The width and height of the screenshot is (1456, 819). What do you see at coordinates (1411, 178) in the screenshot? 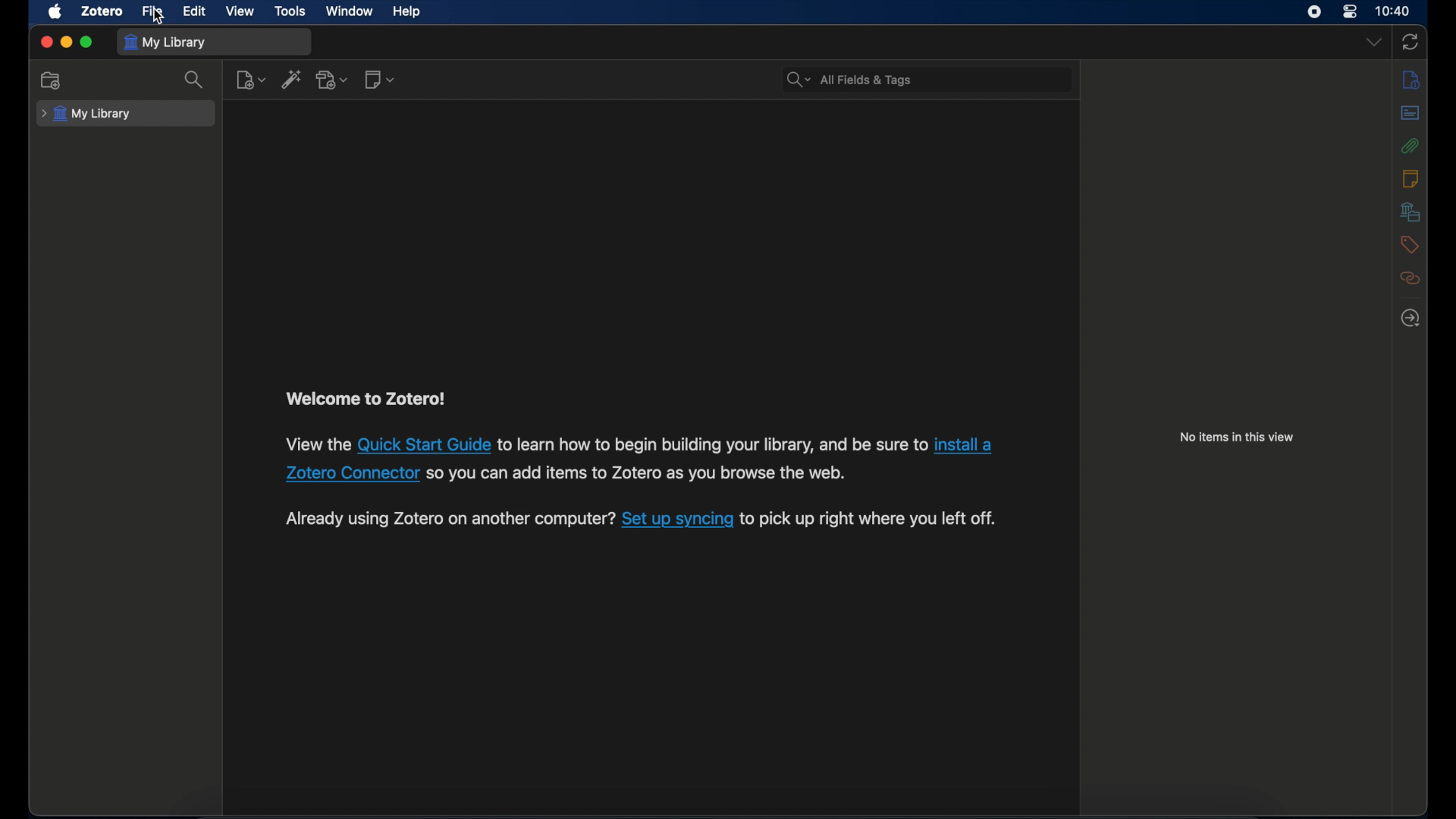
I see `notes` at bounding box center [1411, 178].